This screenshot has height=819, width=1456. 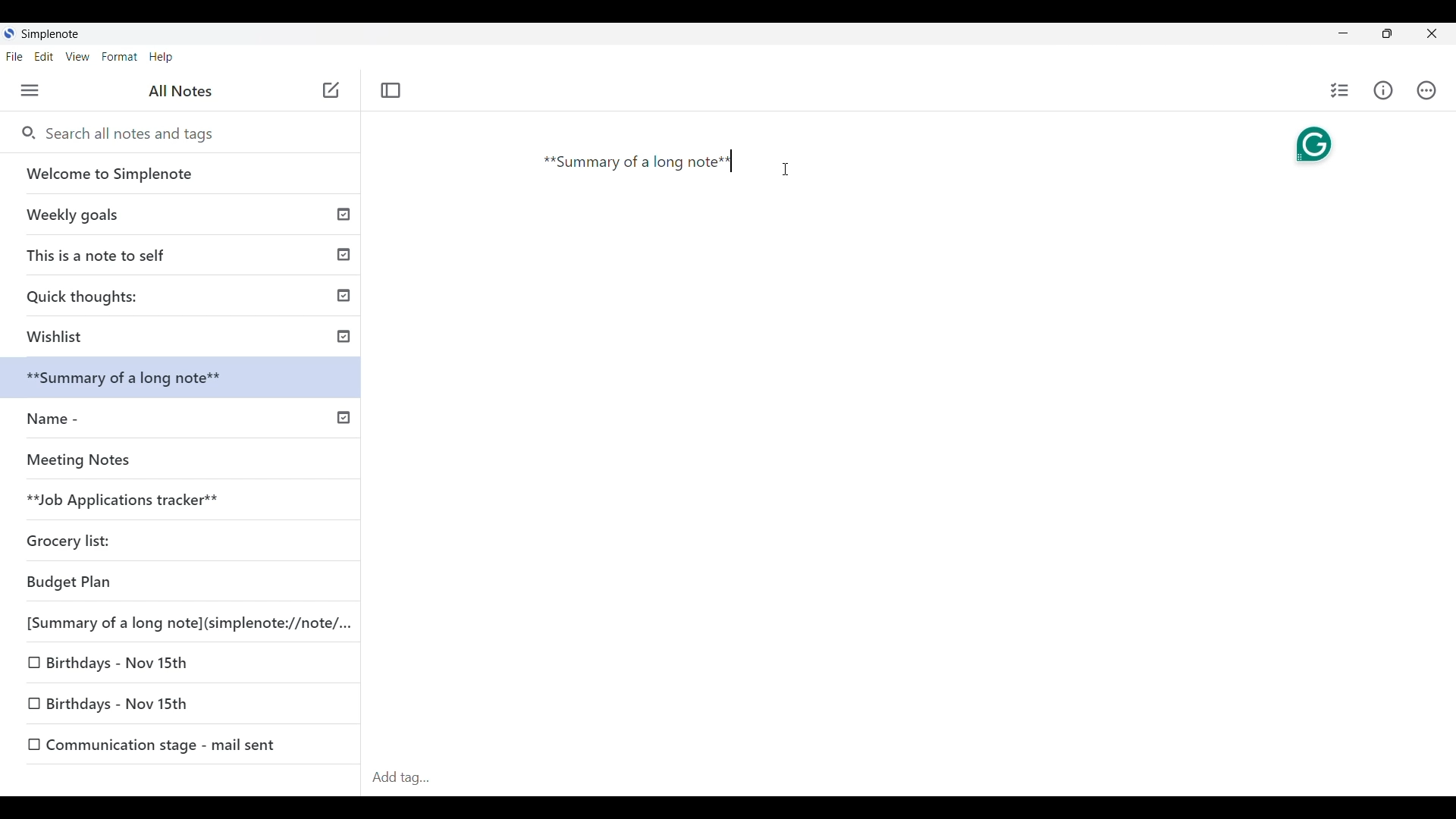 I want to click on Name, so click(x=183, y=416).